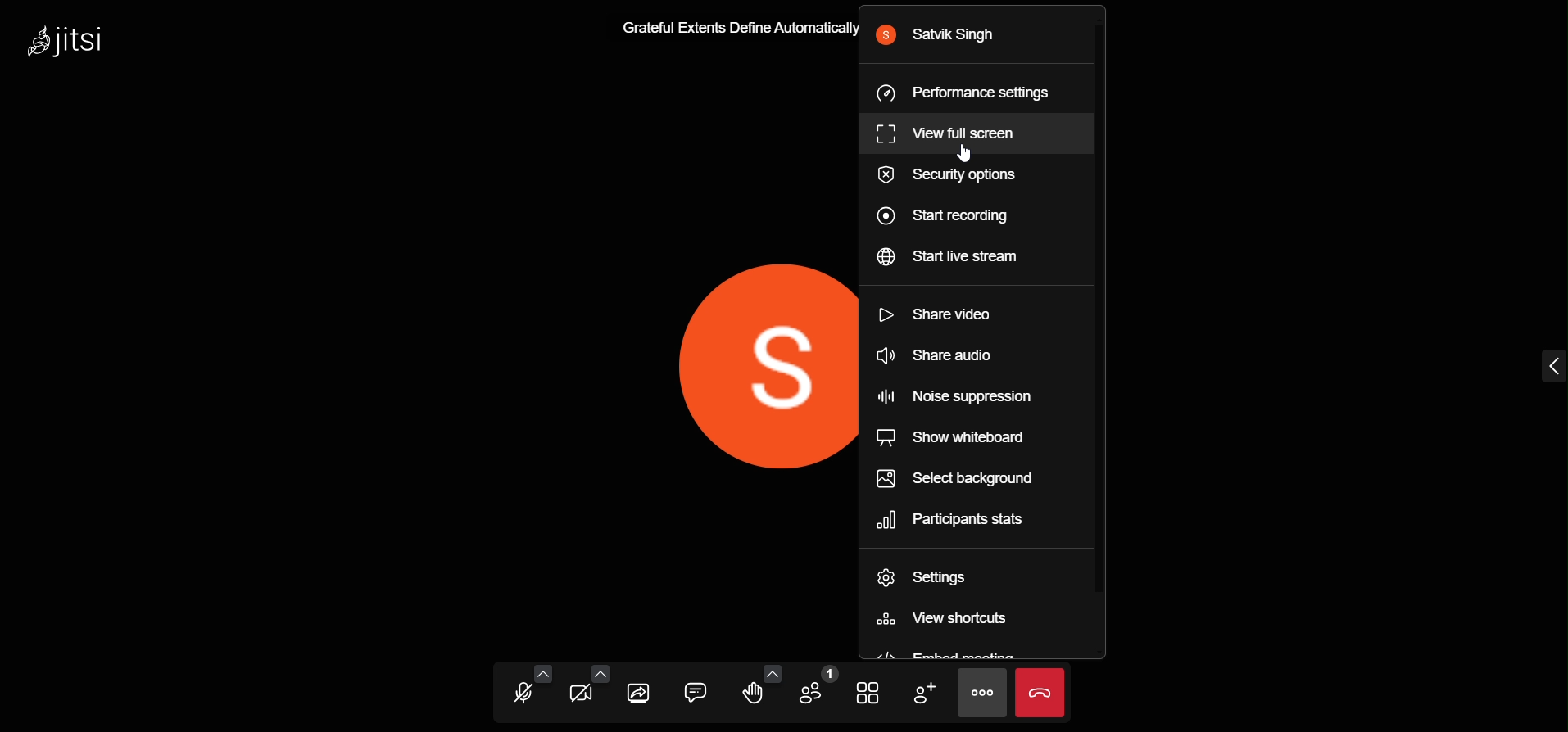 The width and height of the screenshot is (1568, 732). What do you see at coordinates (950, 620) in the screenshot?
I see `view shortcuts` at bounding box center [950, 620].